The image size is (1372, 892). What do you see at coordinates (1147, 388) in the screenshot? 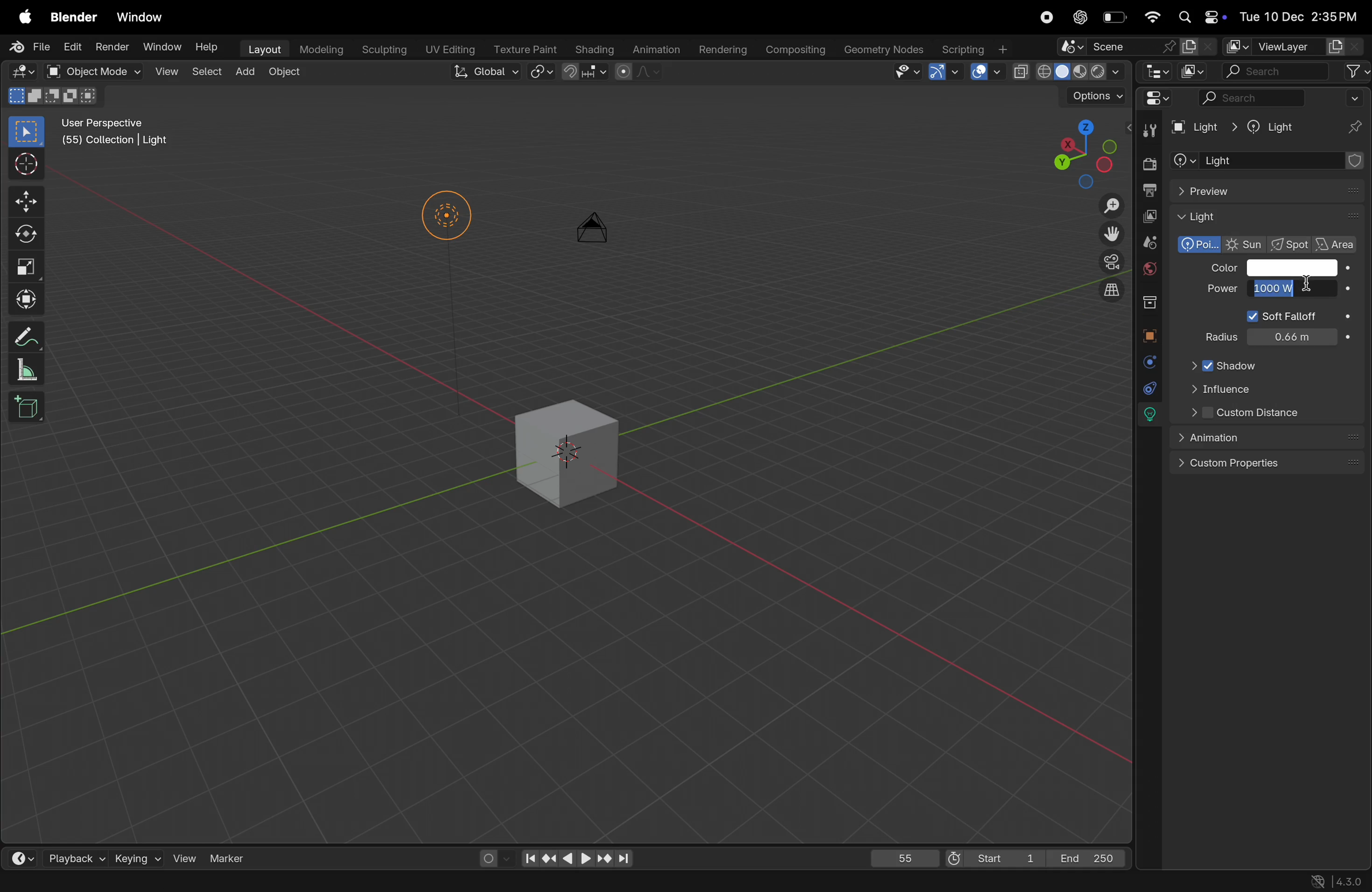
I see `constarints` at bounding box center [1147, 388].